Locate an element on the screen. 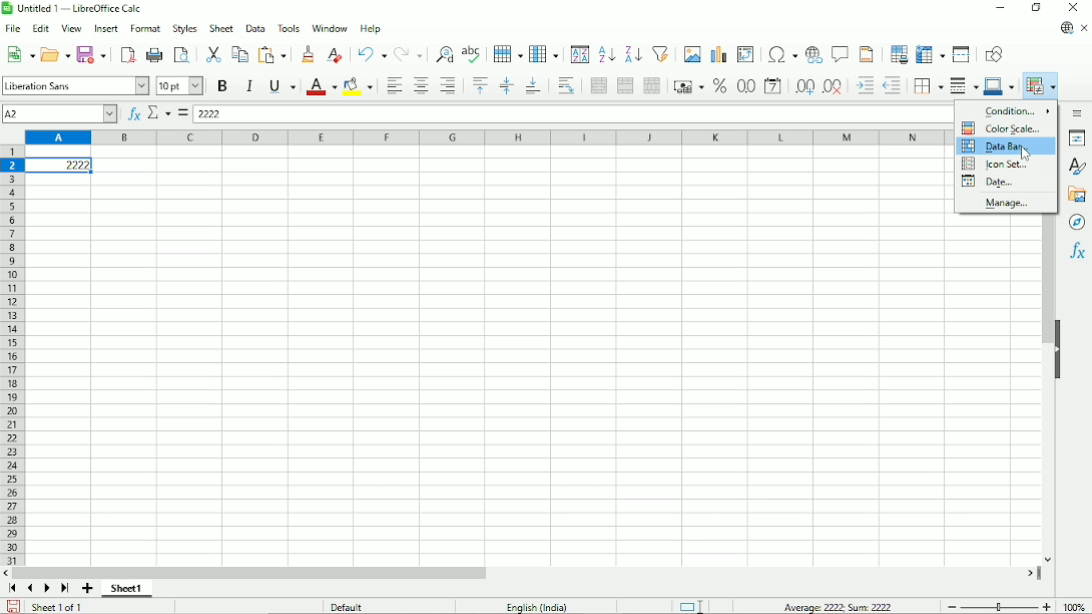 This screenshot has width=1092, height=614. Styles is located at coordinates (1079, 167).